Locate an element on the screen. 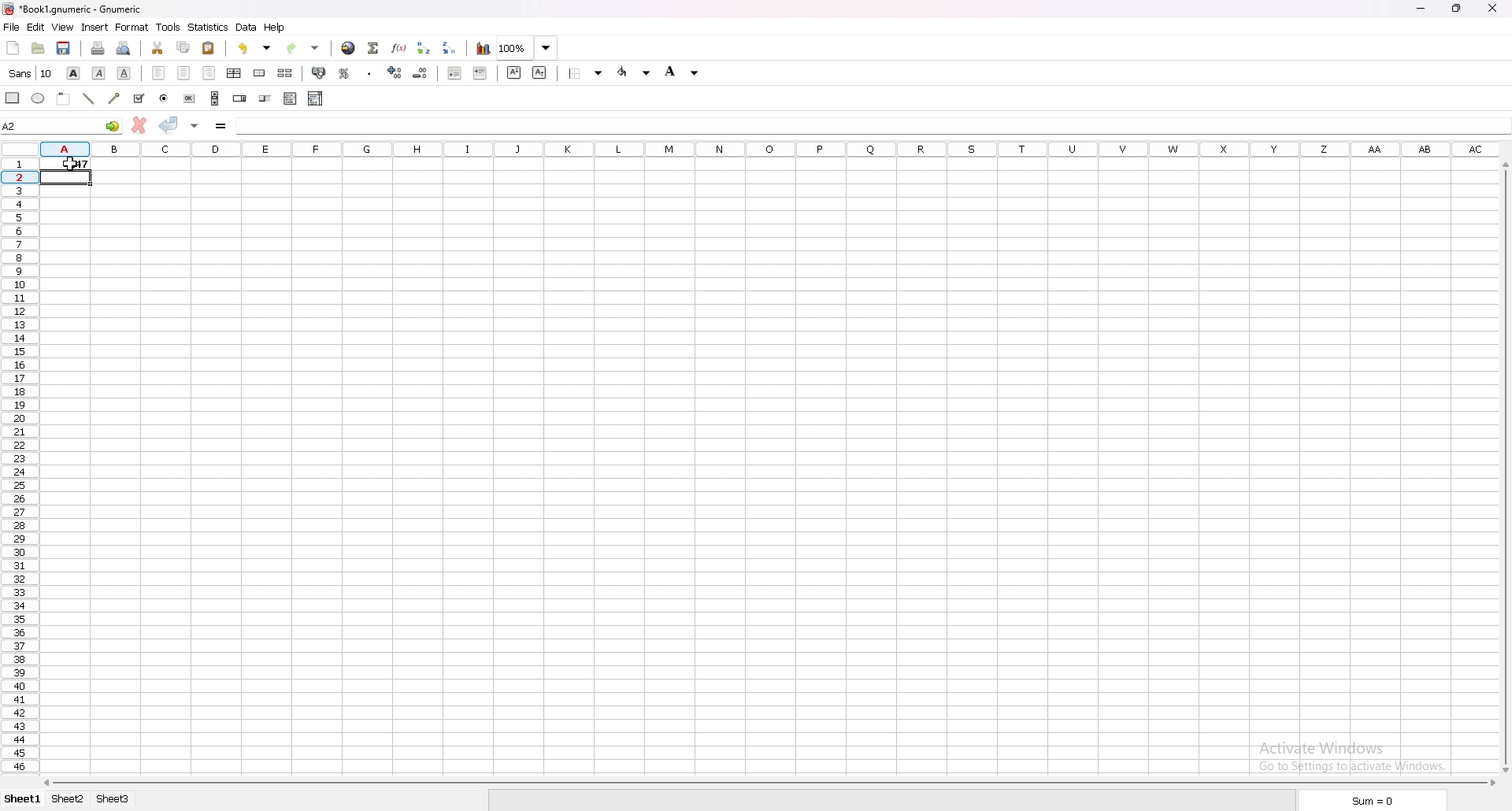 This screenshot has width=1512, height=811. new is located at coordinates (13, 48).